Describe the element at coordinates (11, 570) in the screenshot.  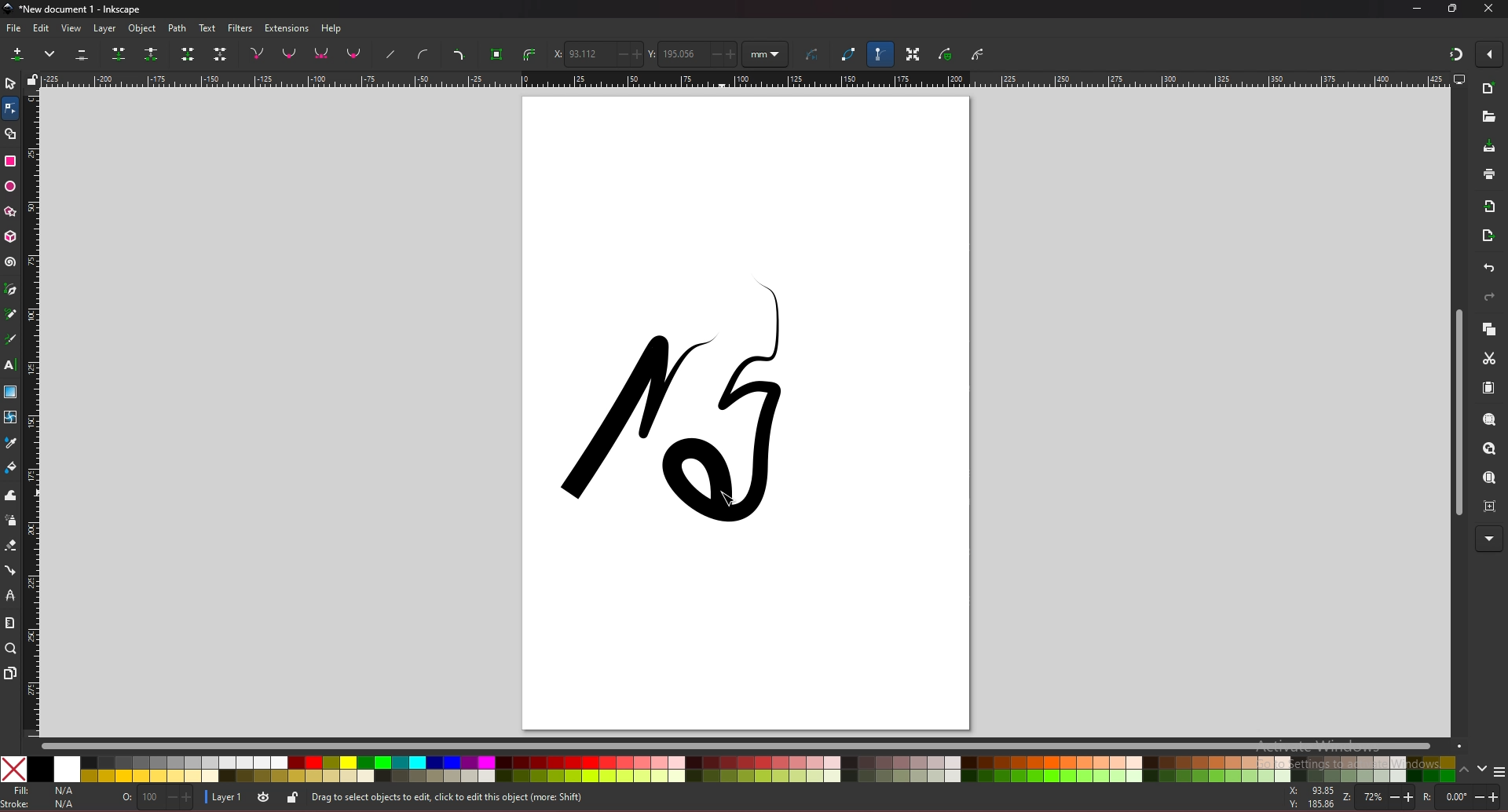
I see `connector` at that location.